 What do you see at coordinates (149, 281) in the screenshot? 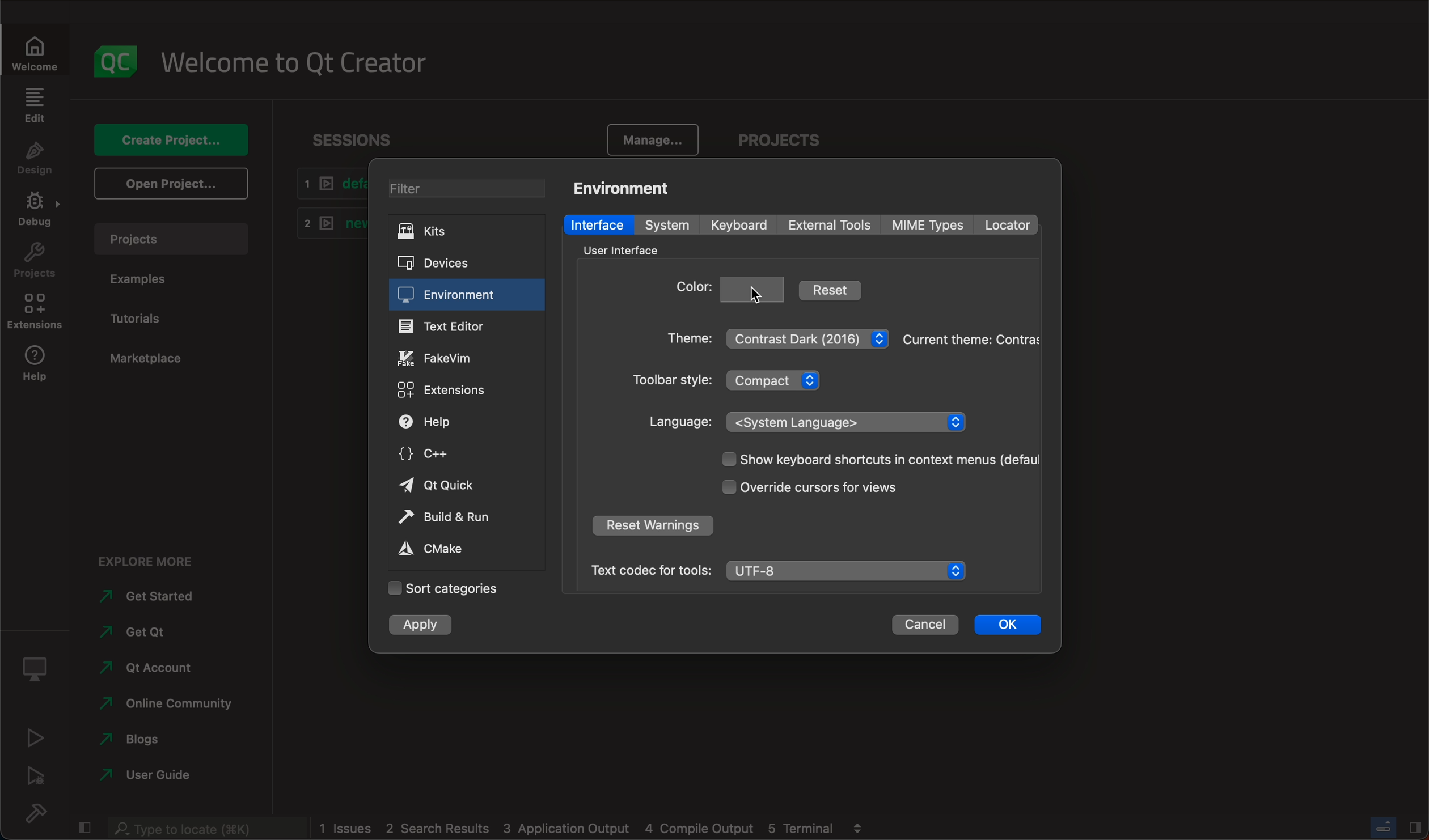
I see `examples` at bounding box center [149, 281].